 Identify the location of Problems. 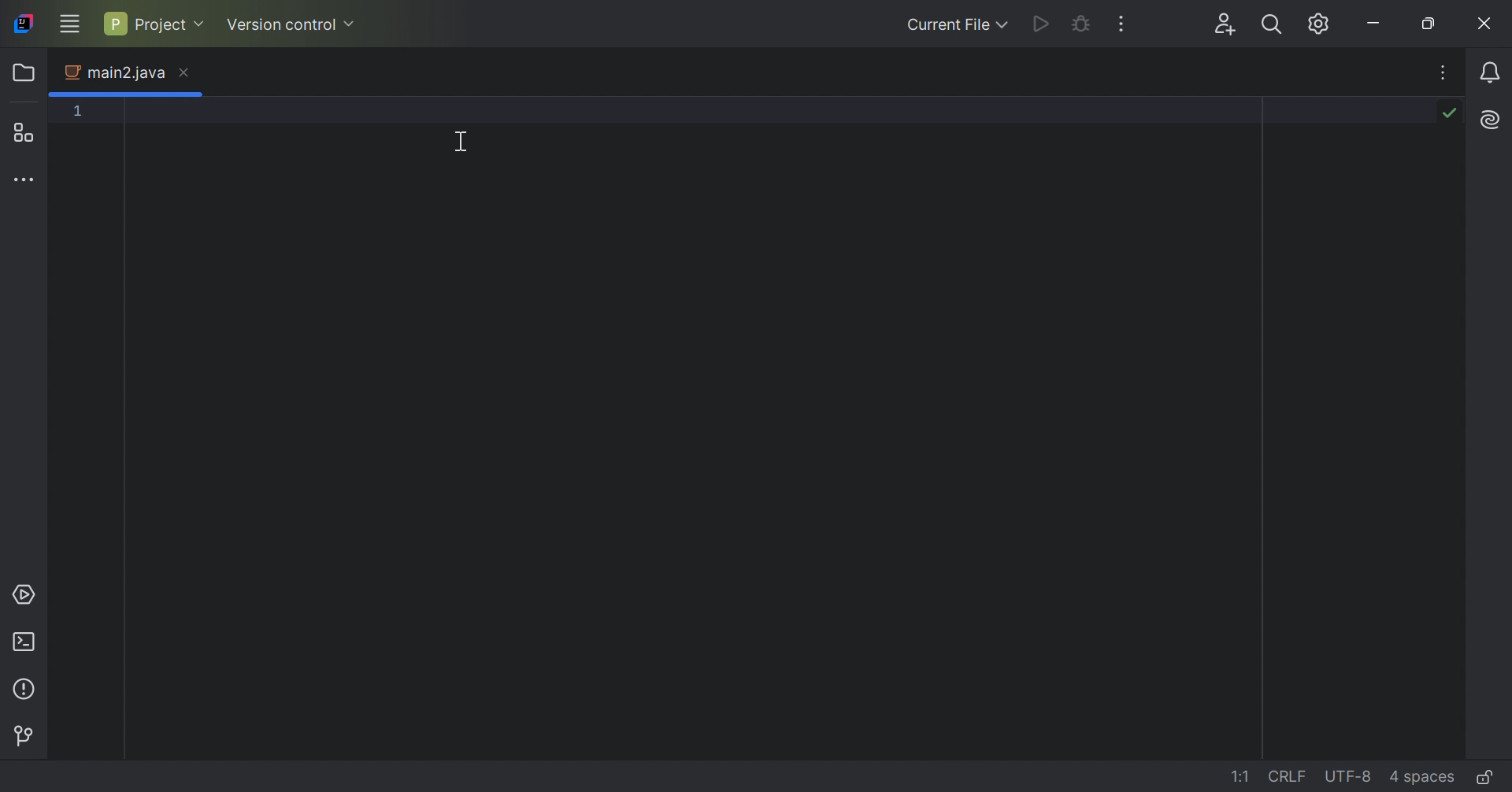
(28, 690).